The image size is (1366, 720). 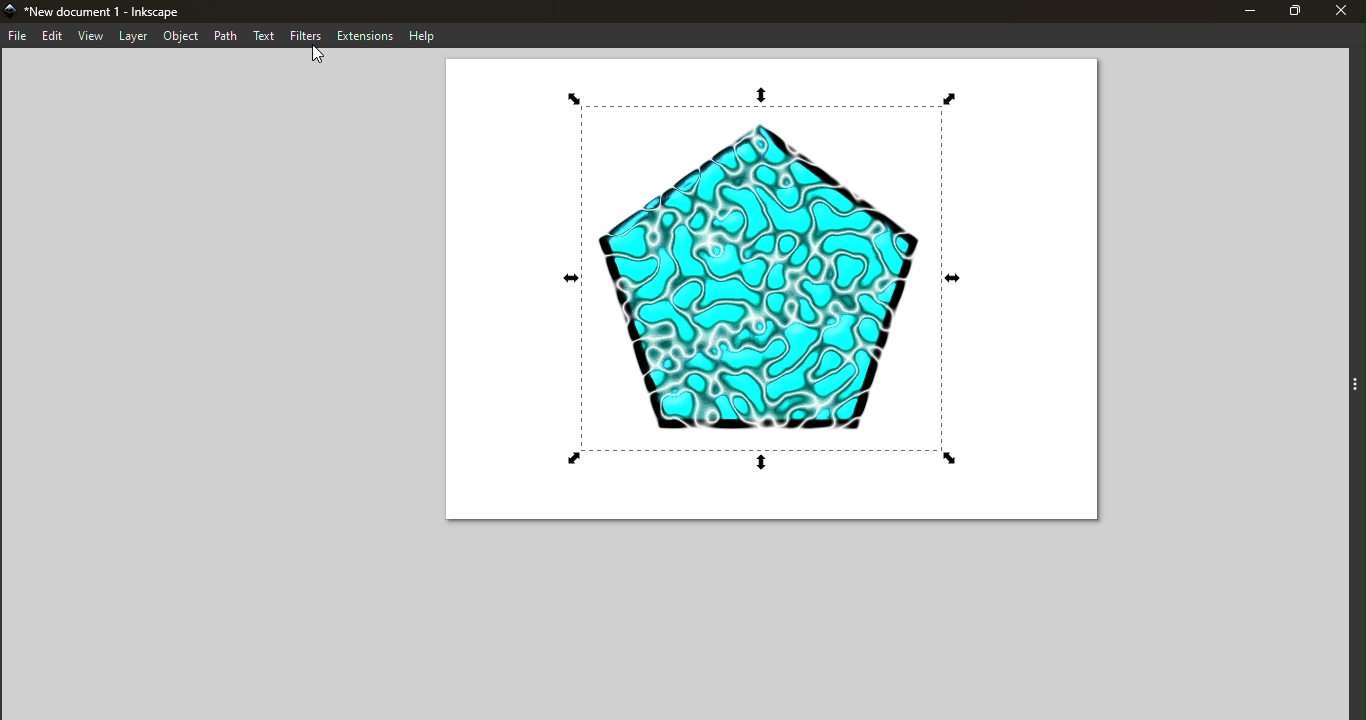 What do you see at coordinates (365, 35) in the screenshot?
I see `Extensions` at bounding box center [365, 35].